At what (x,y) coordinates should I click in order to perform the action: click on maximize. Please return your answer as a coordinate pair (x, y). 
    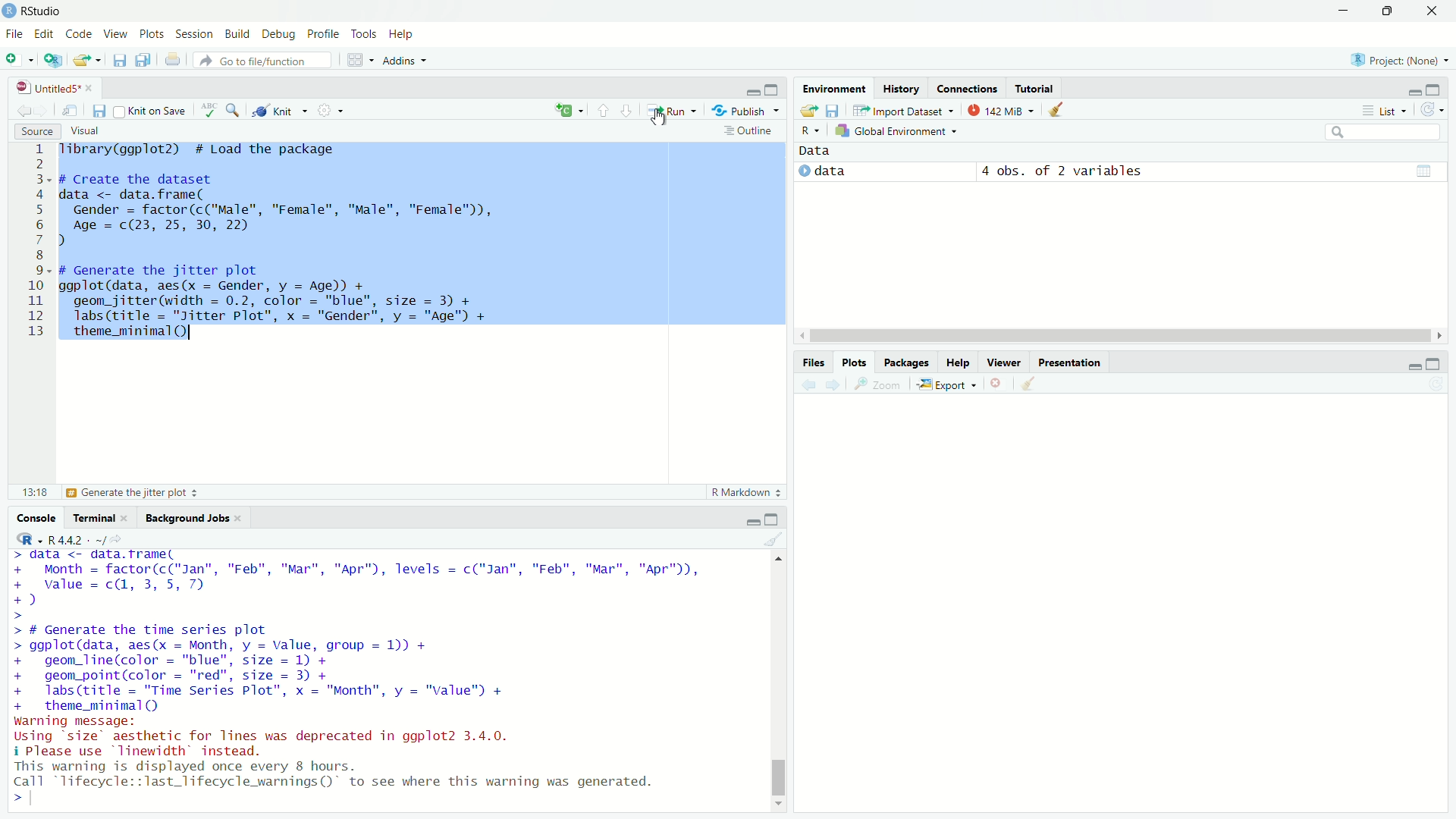
    Looking at the image, I should click on (1439, 362).